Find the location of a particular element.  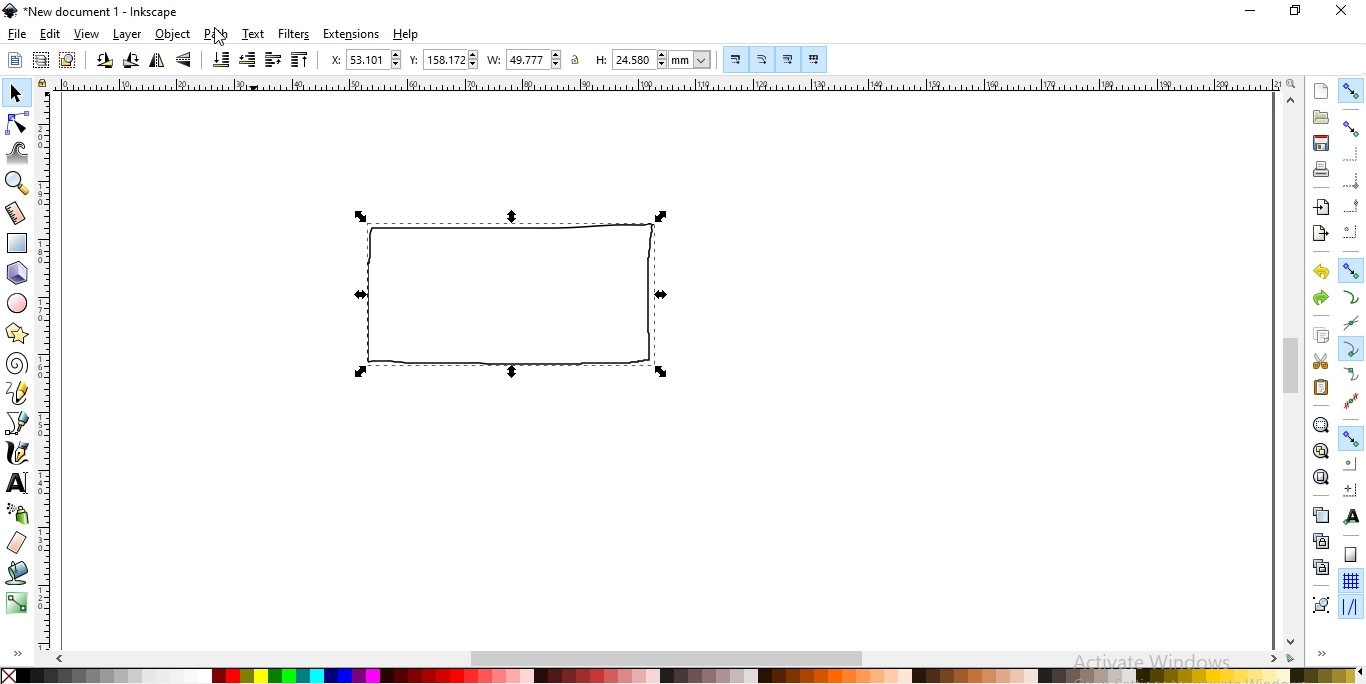

tweak objects by sculpting or painting is located at coordinates (18, 154).